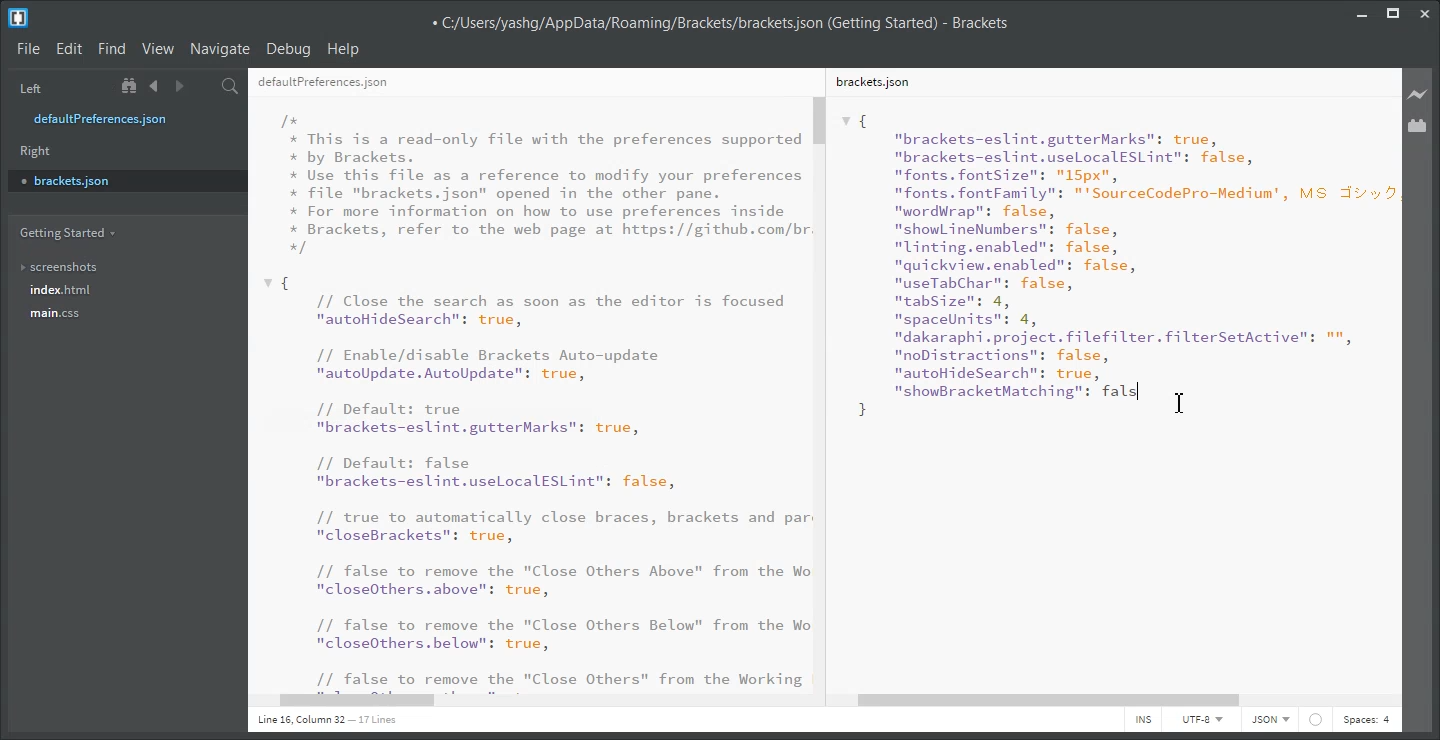  Describe the element at coordinates (1418, 93) in the screenshot. I see `Live Preview` at that location.